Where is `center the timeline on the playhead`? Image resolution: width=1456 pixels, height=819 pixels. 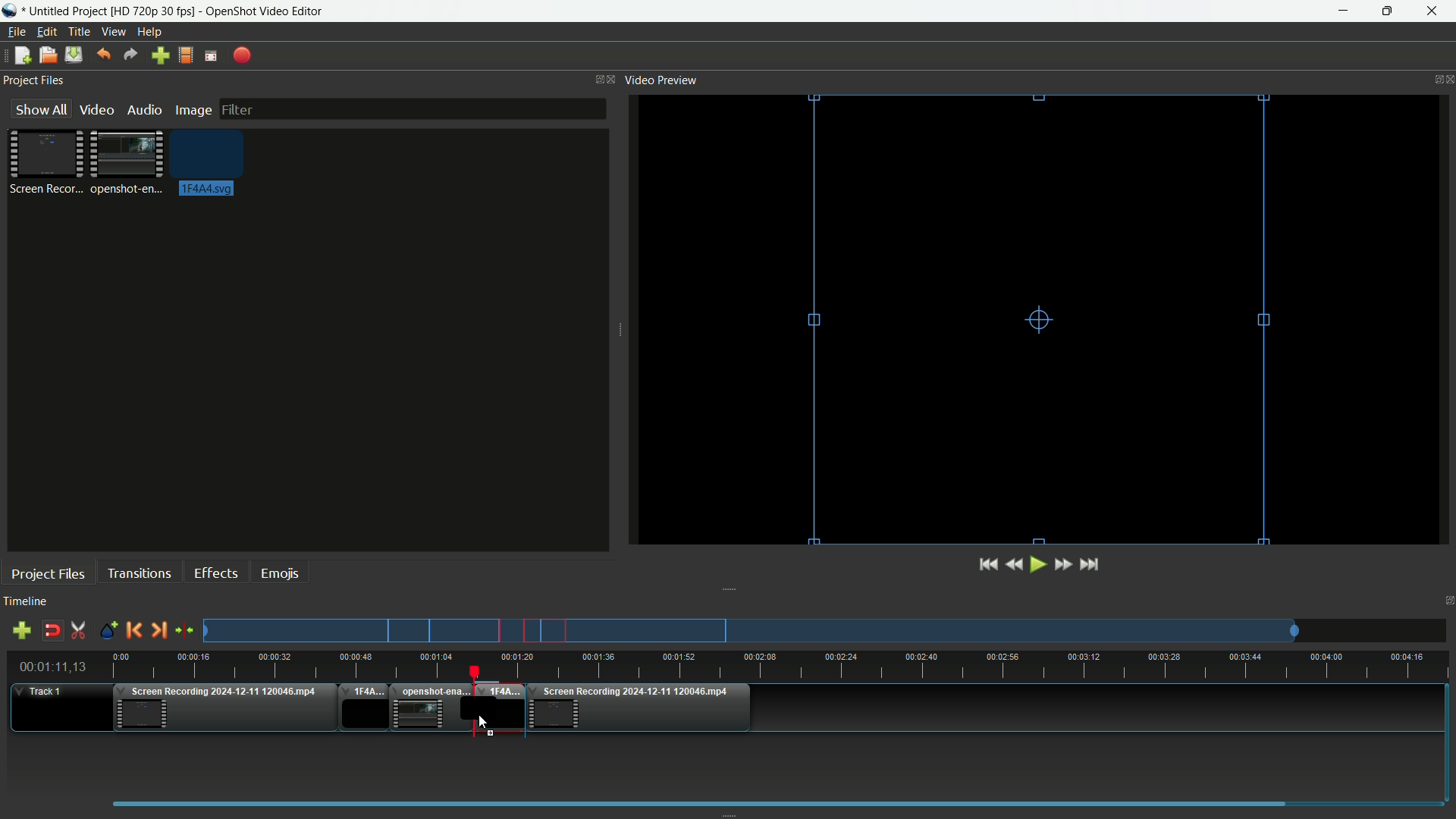
center the timeline on the playhead is located at coordinates (185, 631).